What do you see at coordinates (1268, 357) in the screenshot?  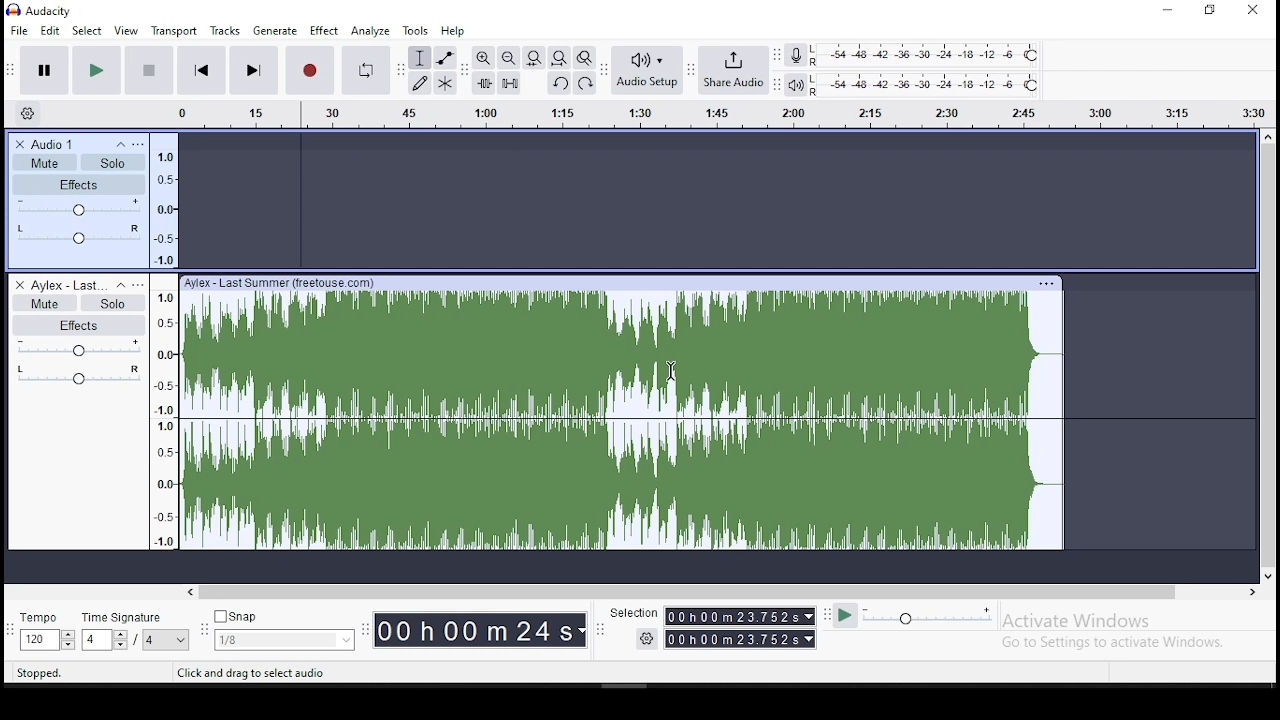 I see `scroll bar` at bounding box center [1268, 357].